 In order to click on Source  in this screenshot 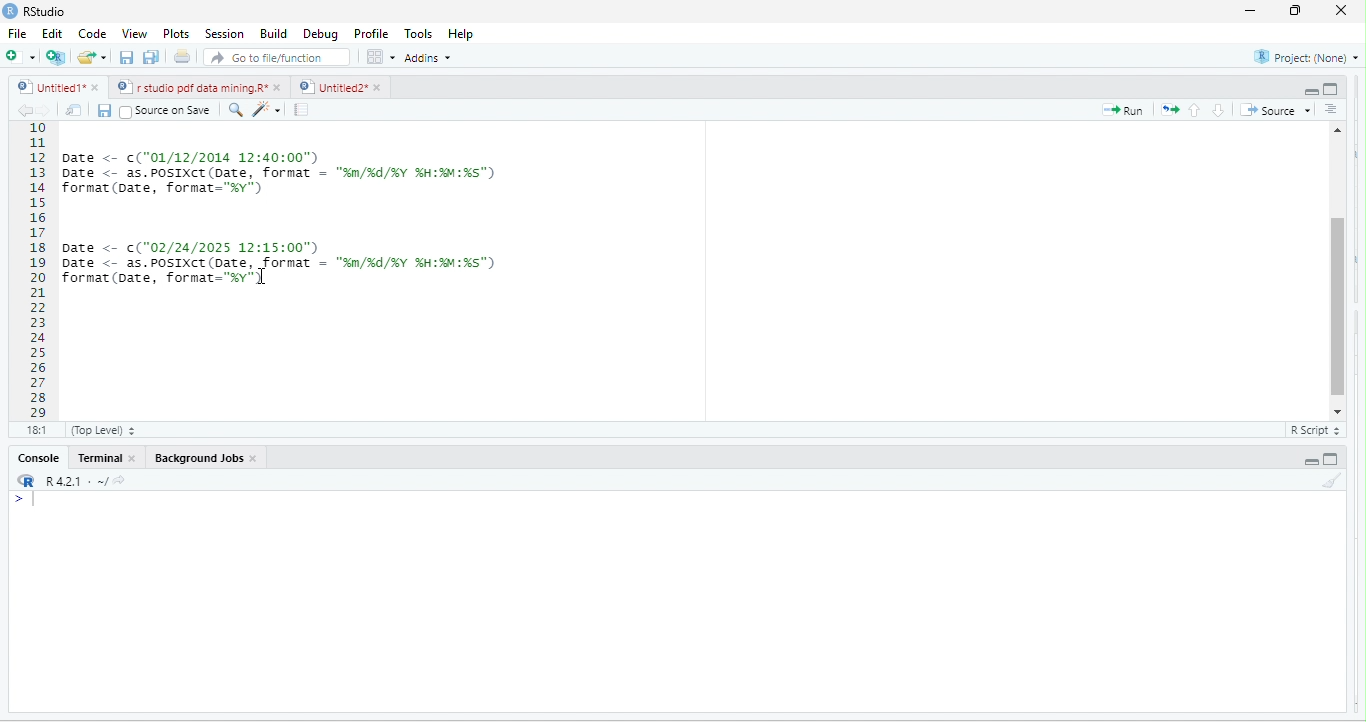, I will do `click(1277, 110)`.